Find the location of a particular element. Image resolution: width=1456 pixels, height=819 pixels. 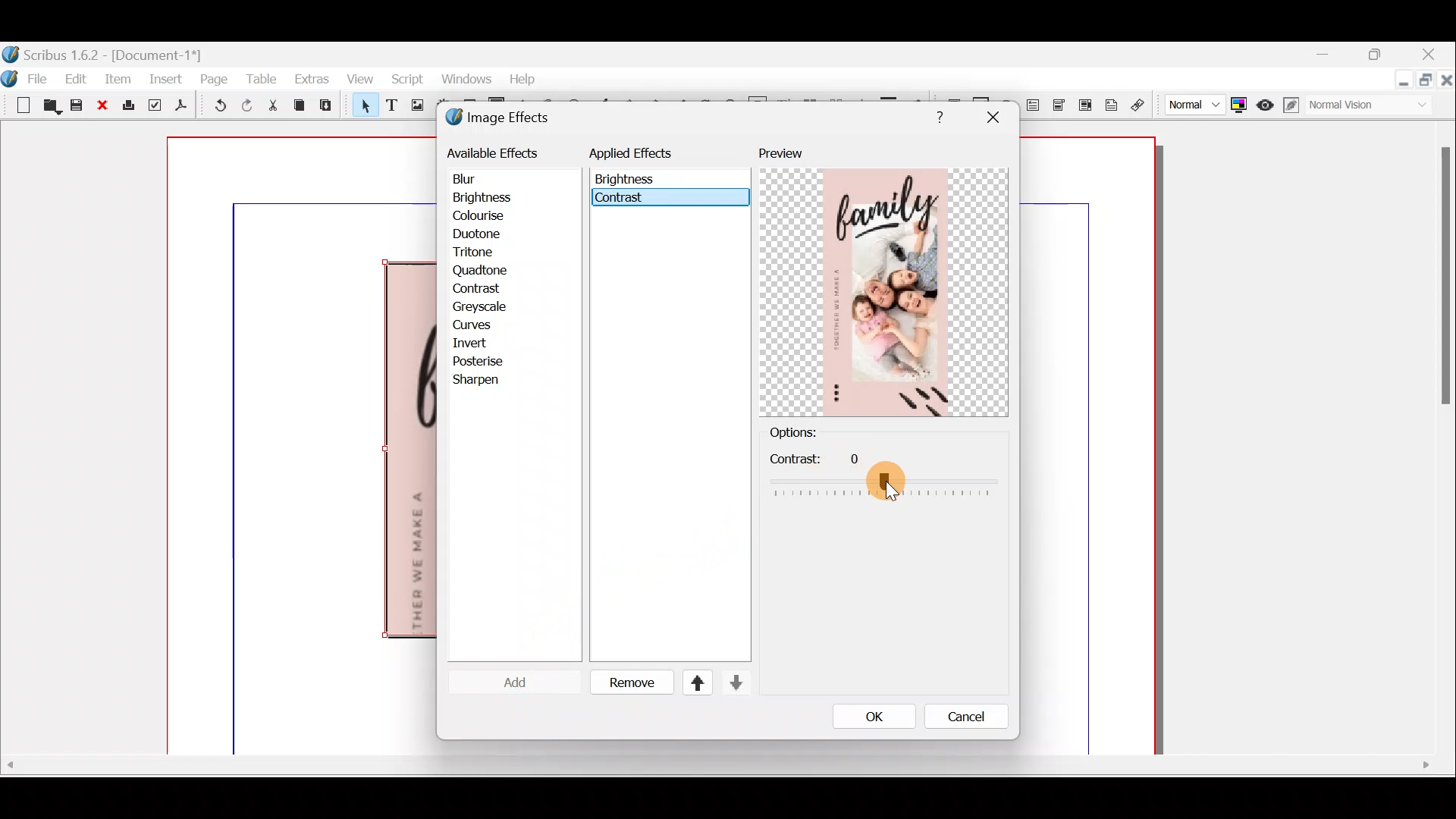

Remove is located at coordinates (626, 683).